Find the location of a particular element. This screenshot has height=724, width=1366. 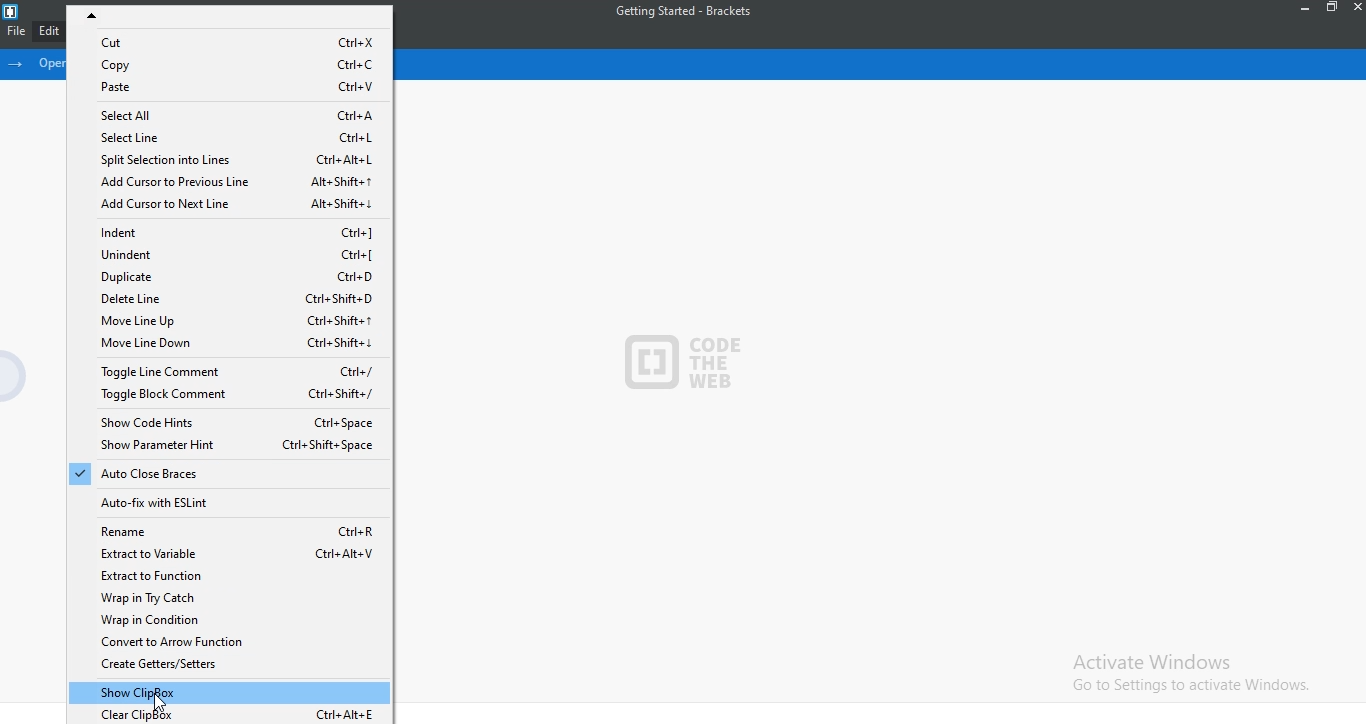

Rename is located at coordinates (227, 530).